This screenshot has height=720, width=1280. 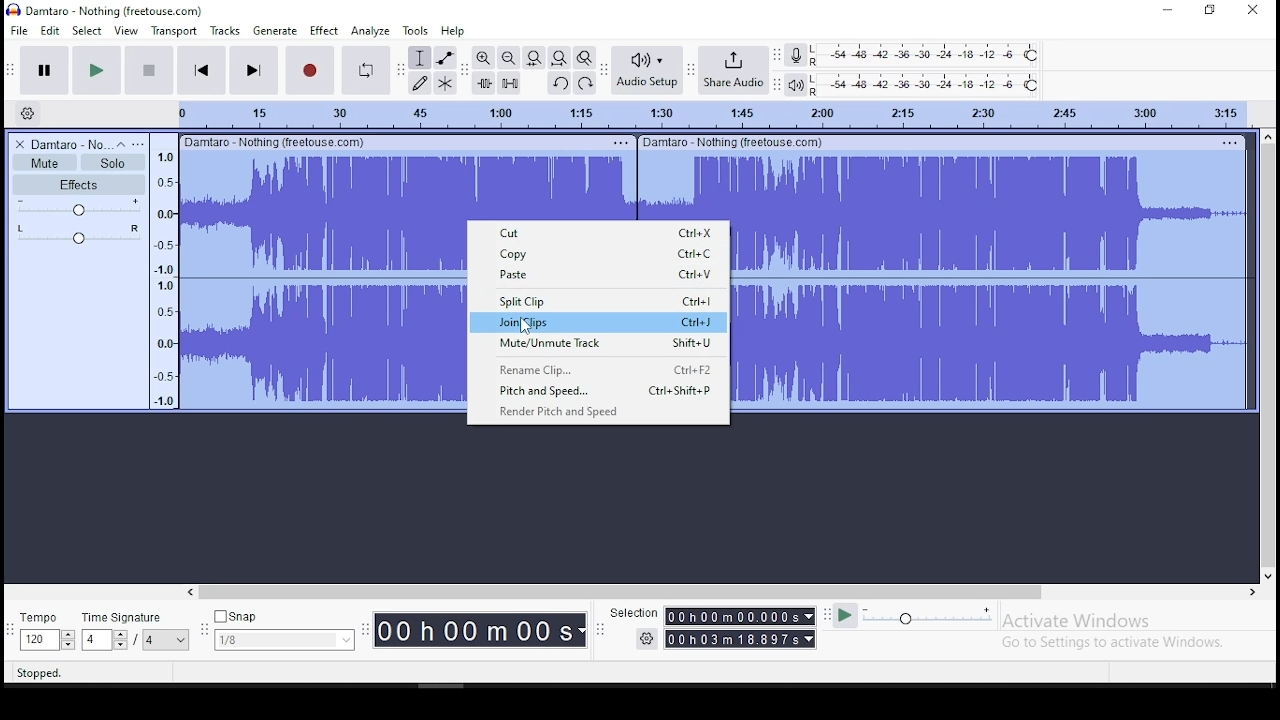 What do you see at coordinates (928, 618) in the screenshot?
I see `playback speed` at bounding box center [928, 618].